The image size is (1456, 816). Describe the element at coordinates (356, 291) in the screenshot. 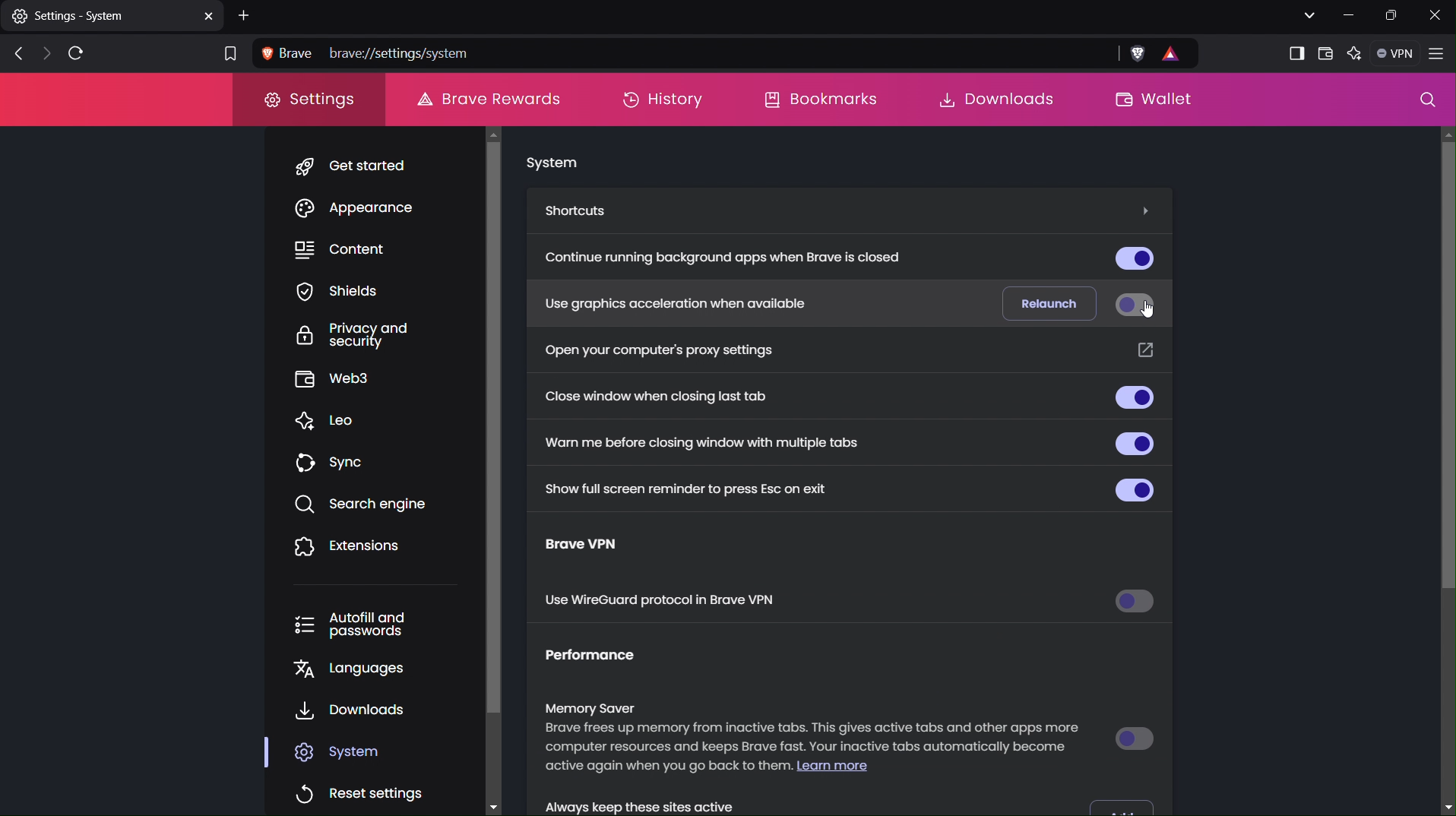

I see `Shields` at that location.